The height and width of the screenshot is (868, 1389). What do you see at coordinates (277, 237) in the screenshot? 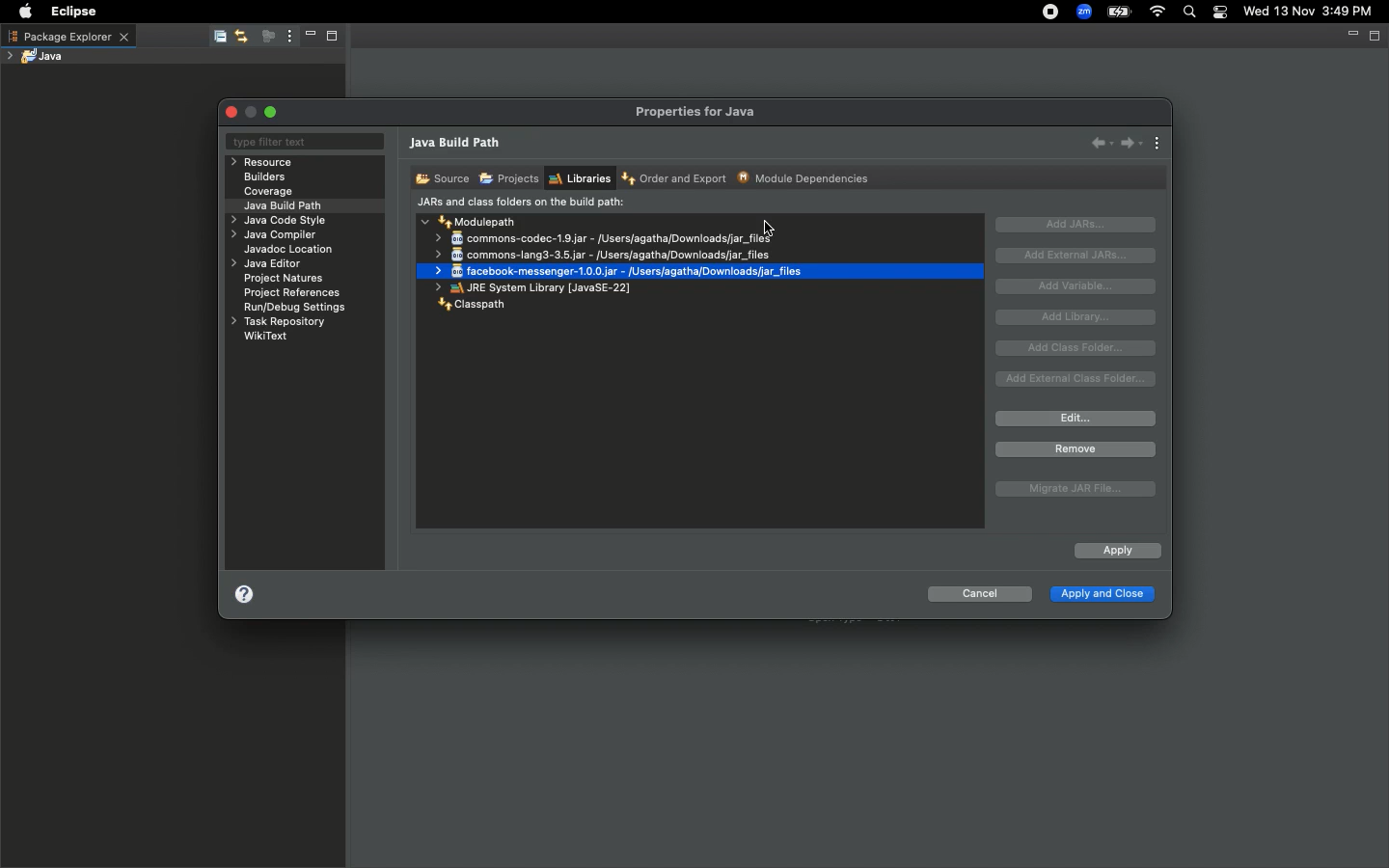
I see `Java compiler` at bounding box center [277, 237].